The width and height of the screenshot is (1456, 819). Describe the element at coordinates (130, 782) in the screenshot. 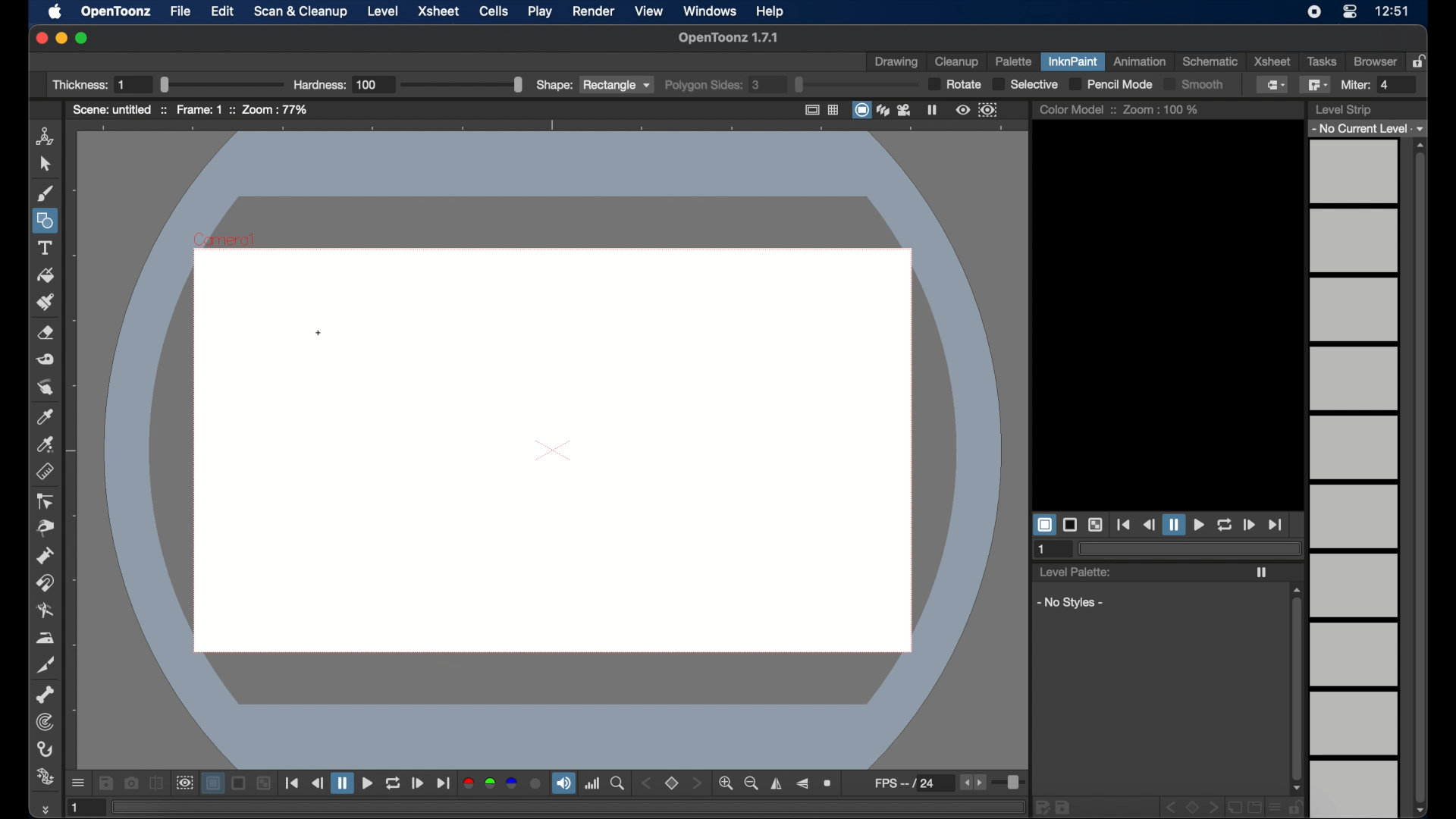

I see `snapshot` at that location.